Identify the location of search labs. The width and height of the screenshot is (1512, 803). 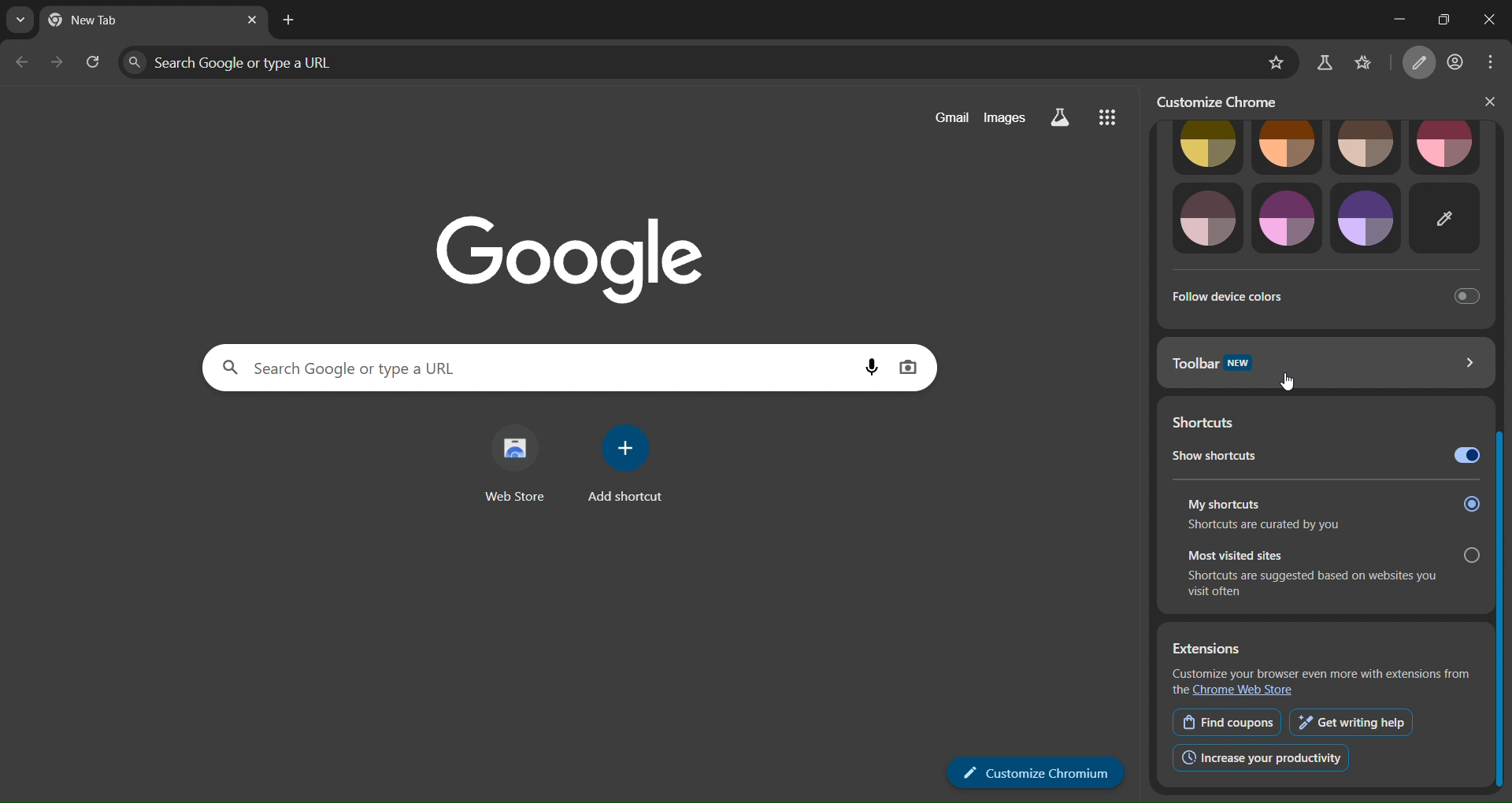
(1324, 63).